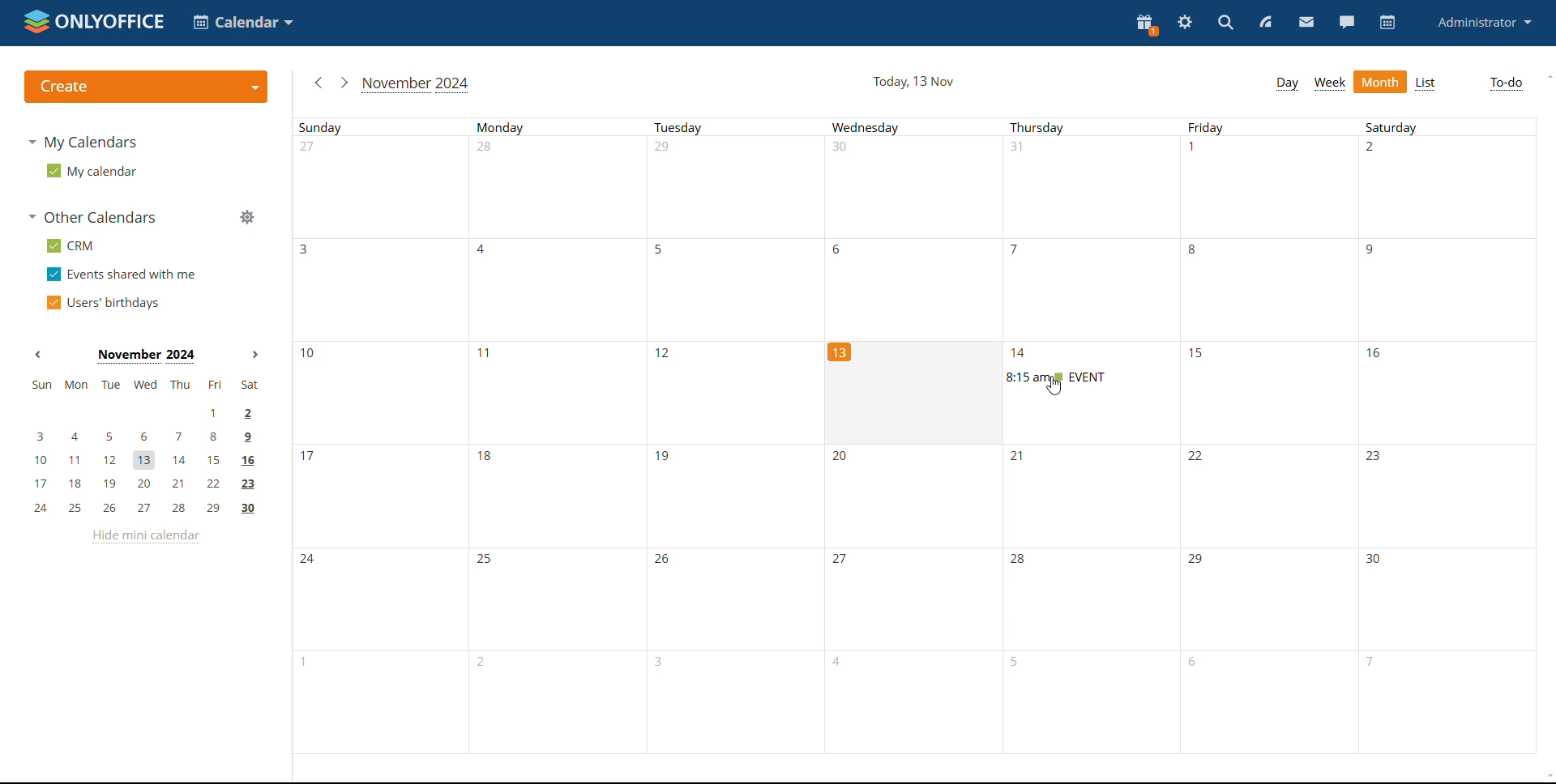  I want to click on current date , so click(912, 385).